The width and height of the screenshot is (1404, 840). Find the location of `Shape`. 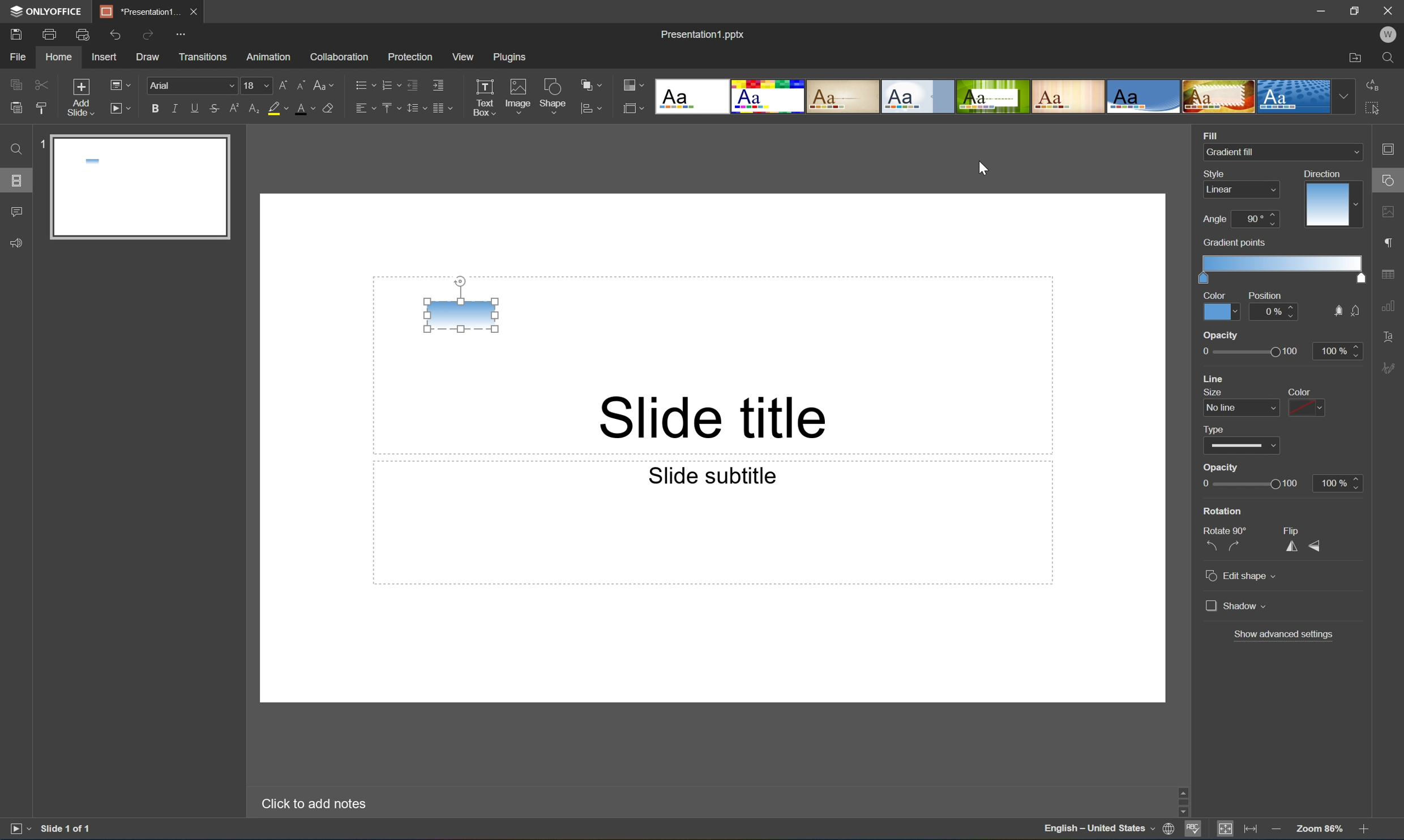

Shape is located at coordinates (554, 98).